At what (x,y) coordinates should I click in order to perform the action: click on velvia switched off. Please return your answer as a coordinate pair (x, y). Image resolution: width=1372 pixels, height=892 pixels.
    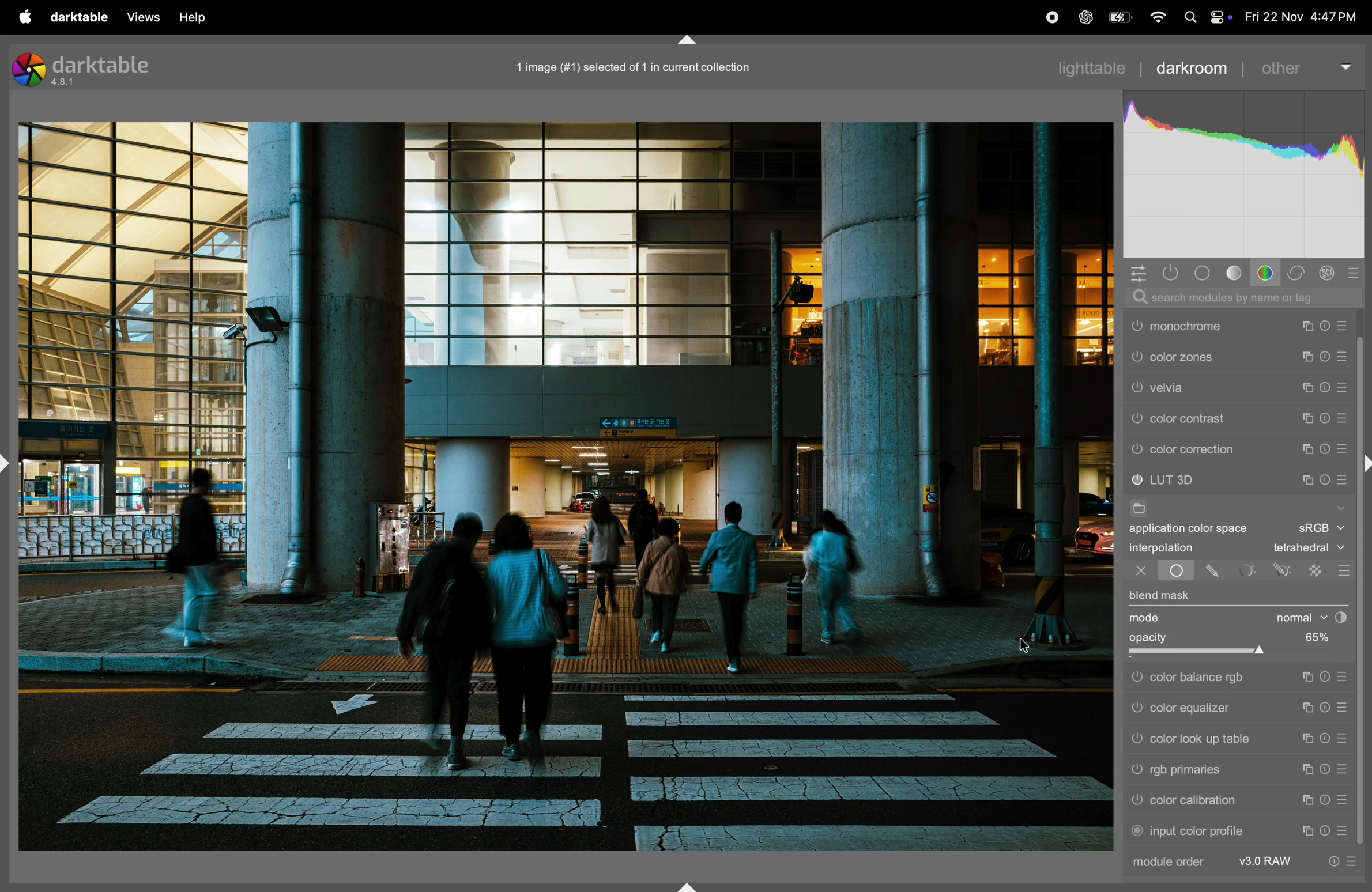
    Looking at the image, I should click on (1136, 417).